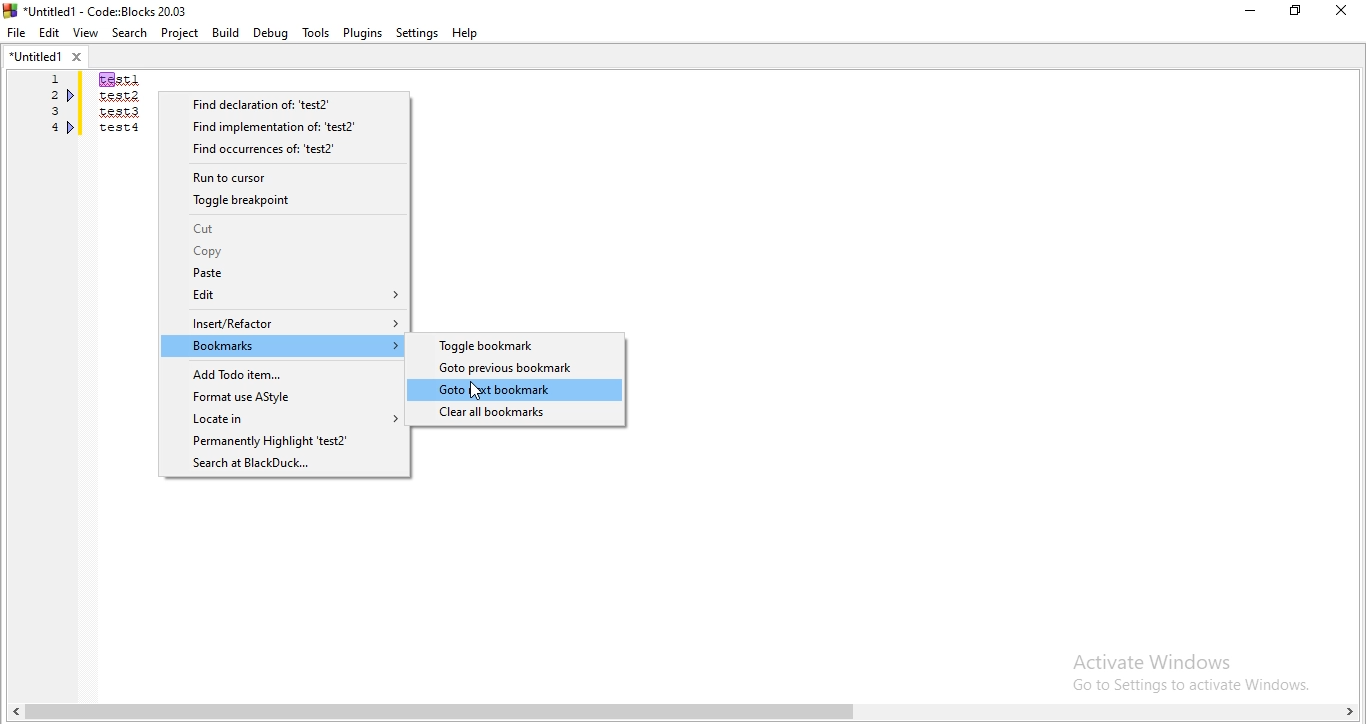 Image resolution: width=1366 pixels, height=724 pixels. Describe the element at coordinates (85, 30) in the screenshot. I see `View ` at that location.